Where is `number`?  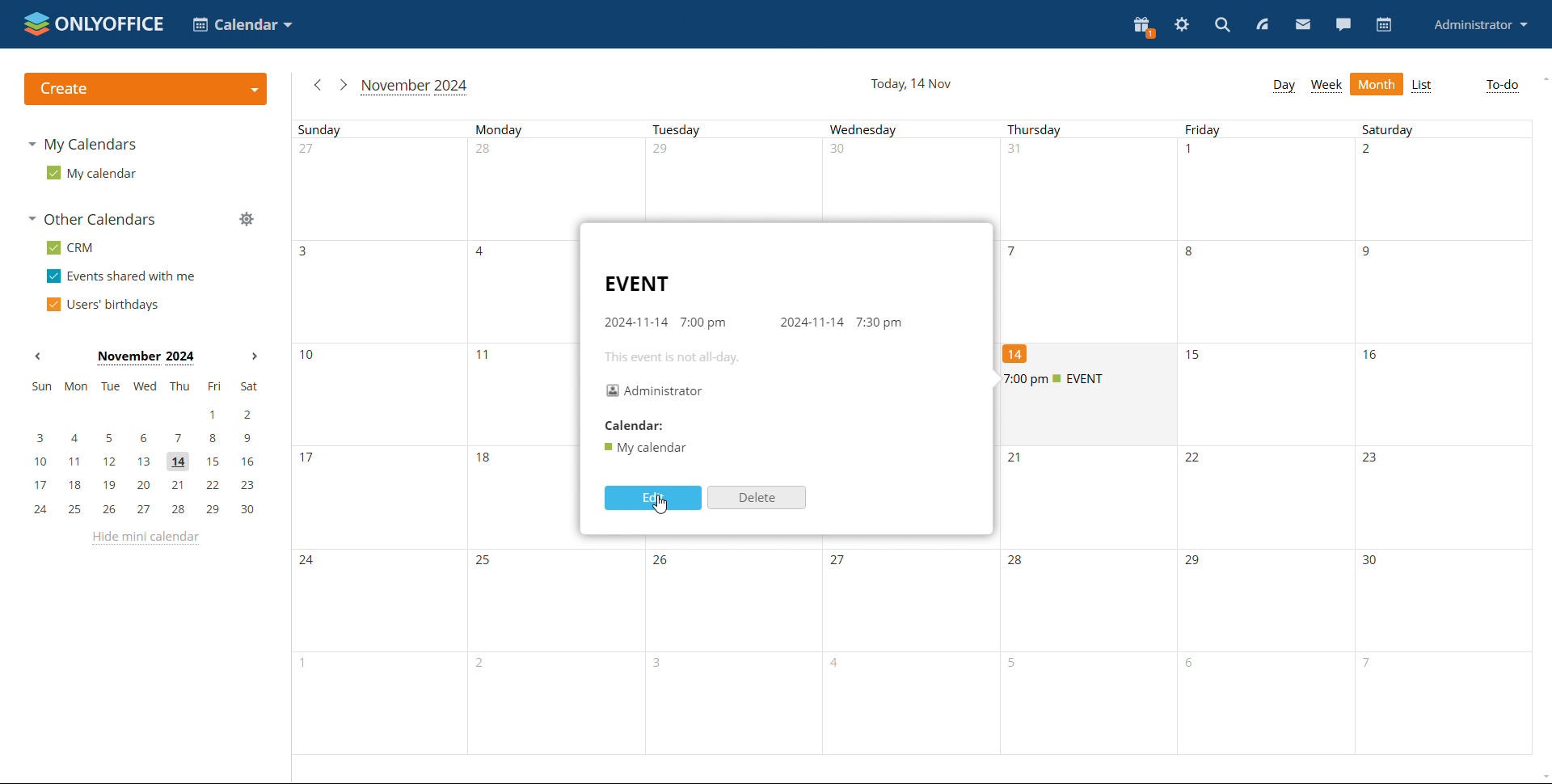
number is located at coordinates (1018, 353).